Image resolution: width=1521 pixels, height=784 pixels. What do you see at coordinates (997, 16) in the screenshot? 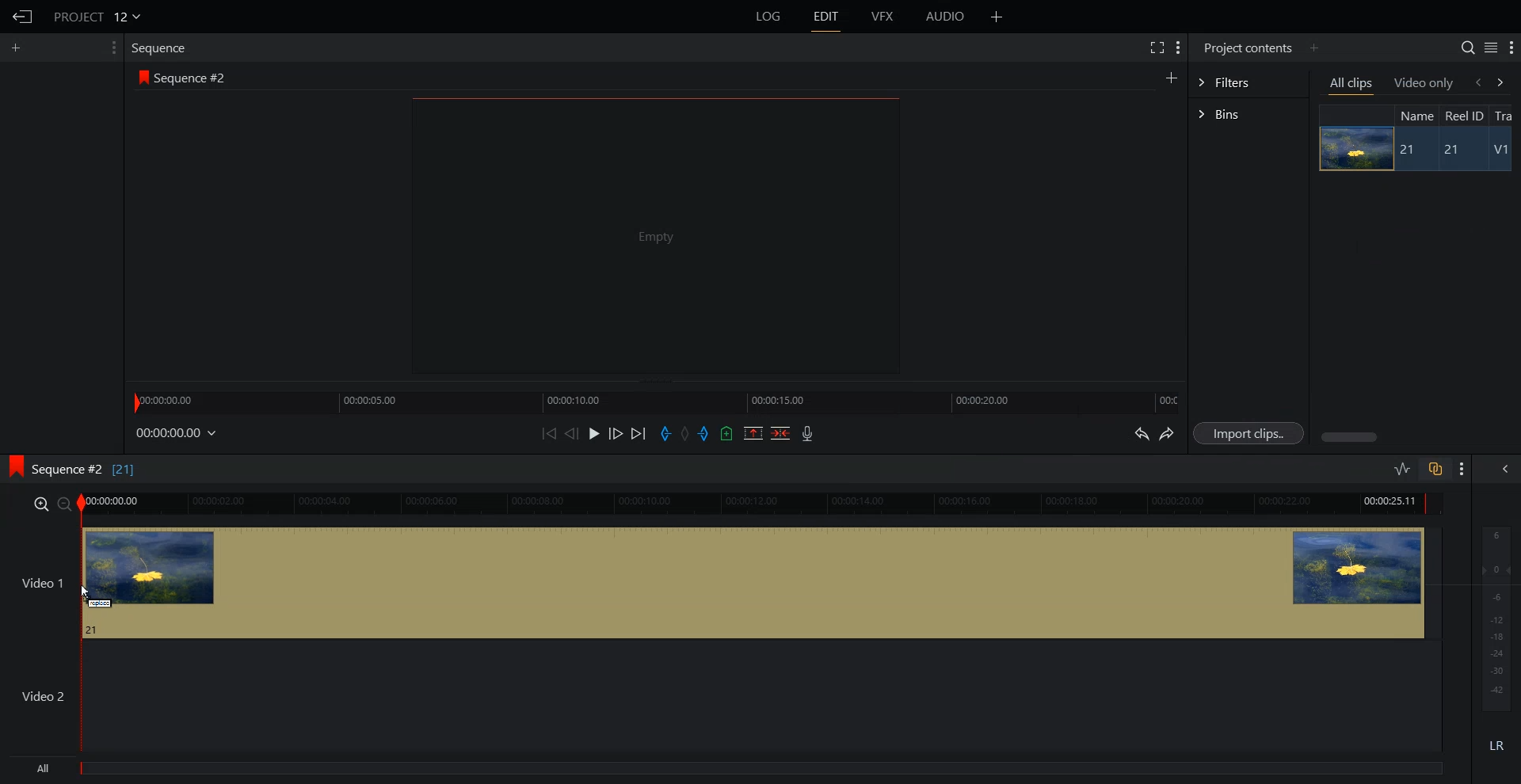
I see `Add Panel` at bounding box center [997, 16].